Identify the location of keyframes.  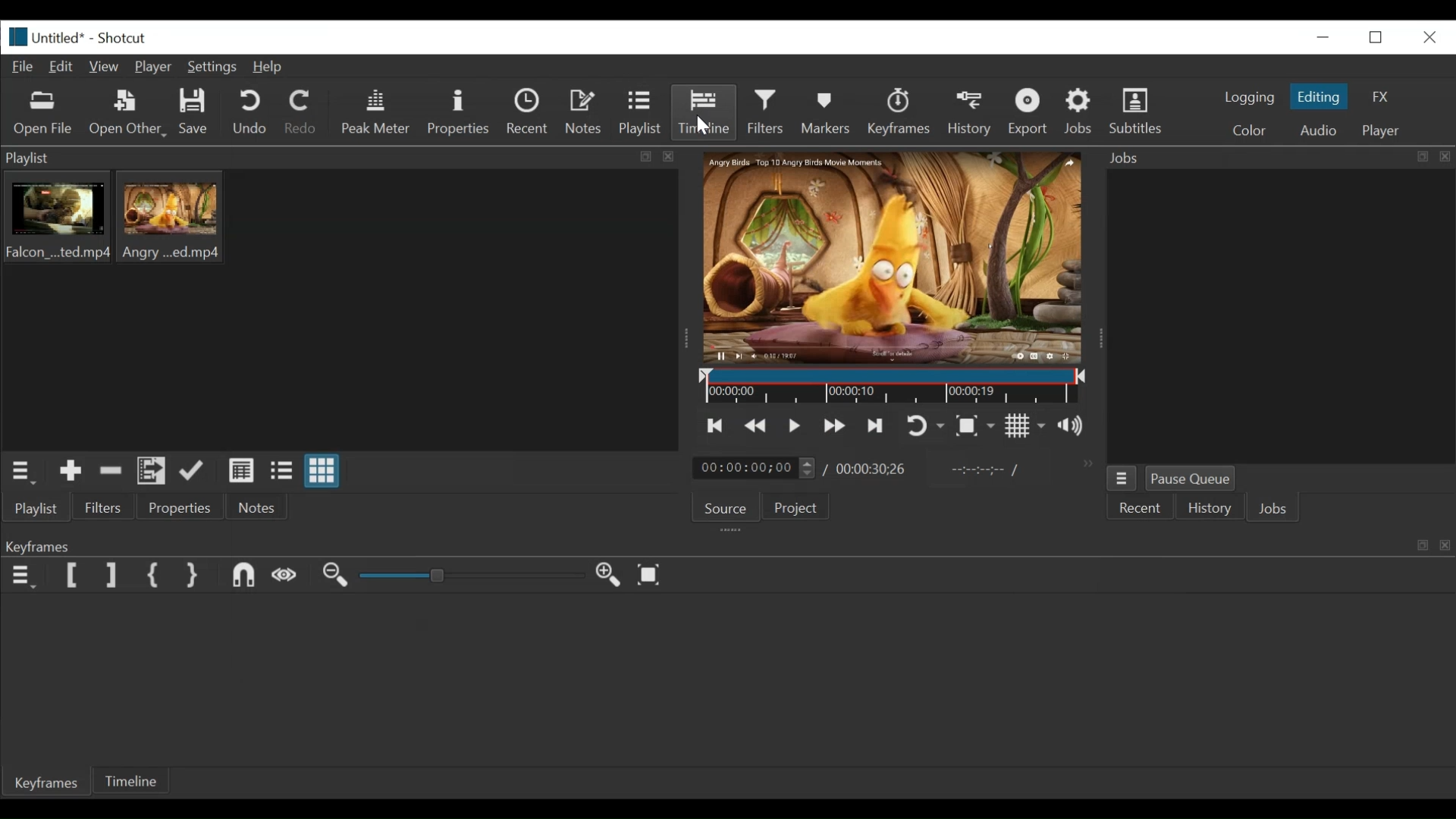
(900, 114).